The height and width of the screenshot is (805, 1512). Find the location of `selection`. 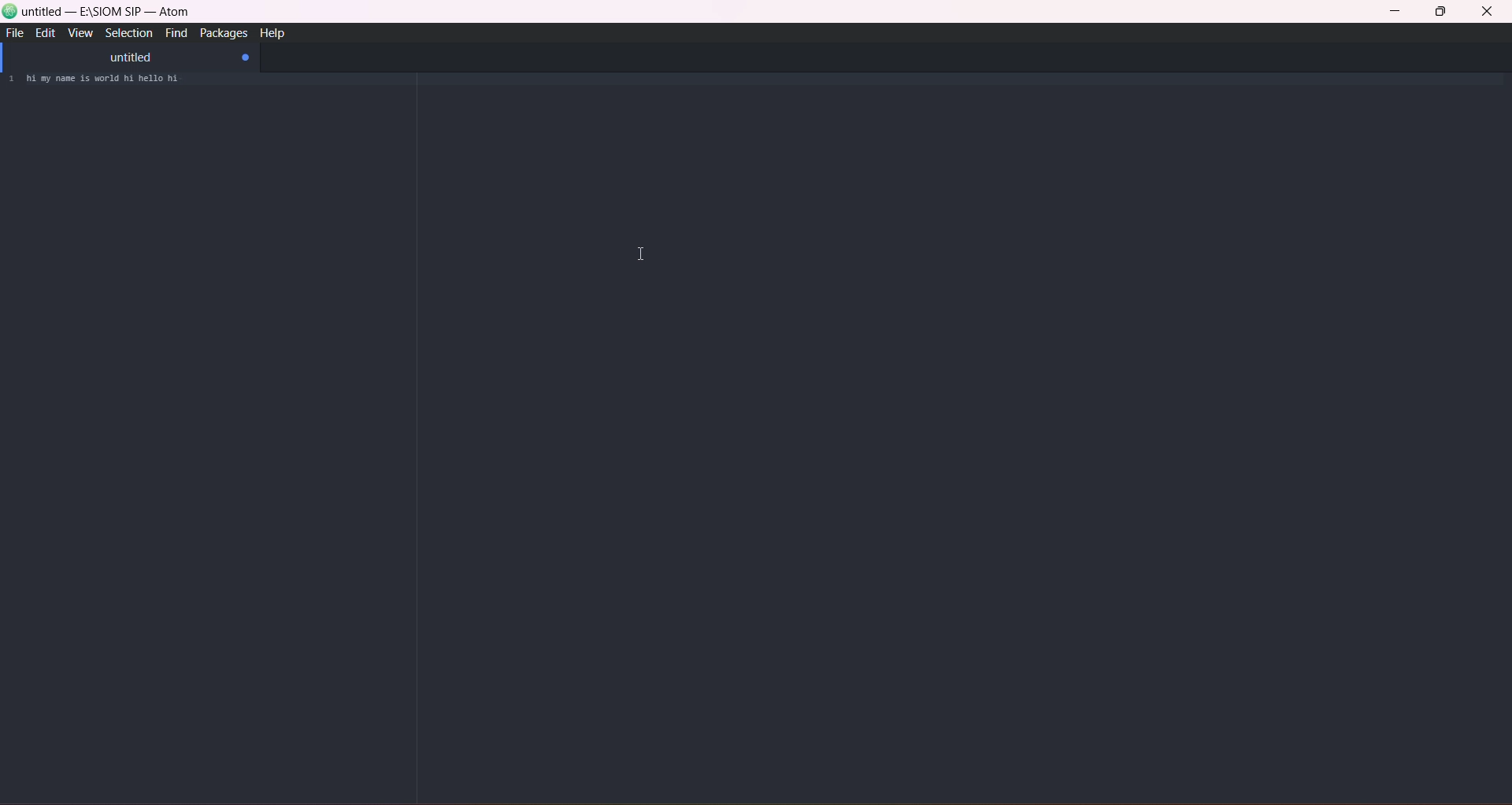

selection is located at coordinates (127, 33).